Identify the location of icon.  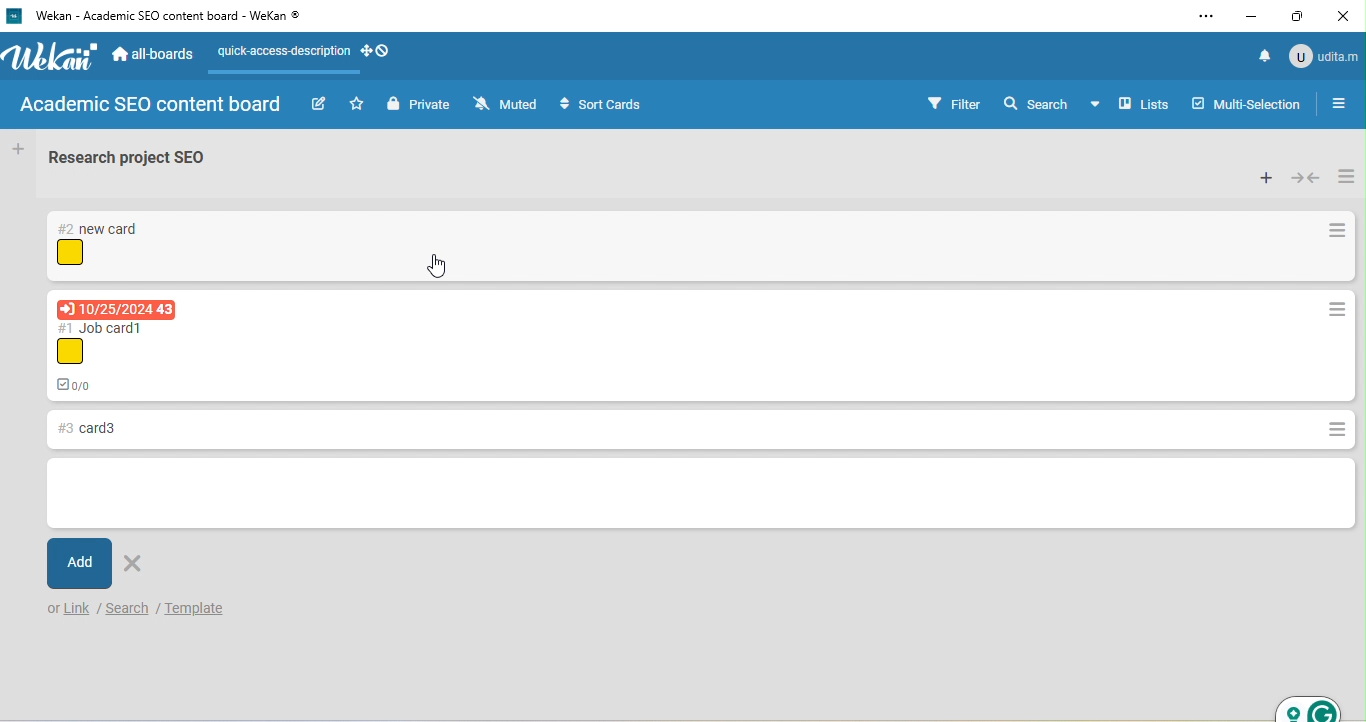
(70, 253).